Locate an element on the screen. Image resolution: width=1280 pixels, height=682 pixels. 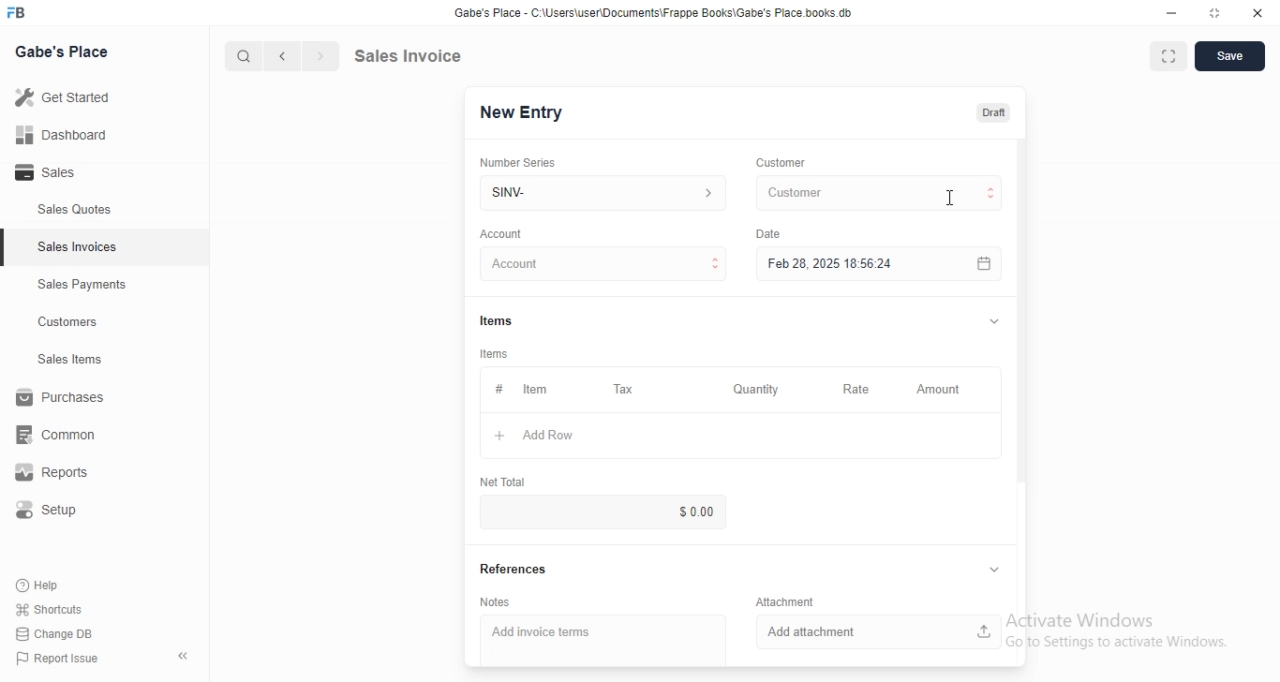
‘Add attachment is located at coordinates (879, 630).